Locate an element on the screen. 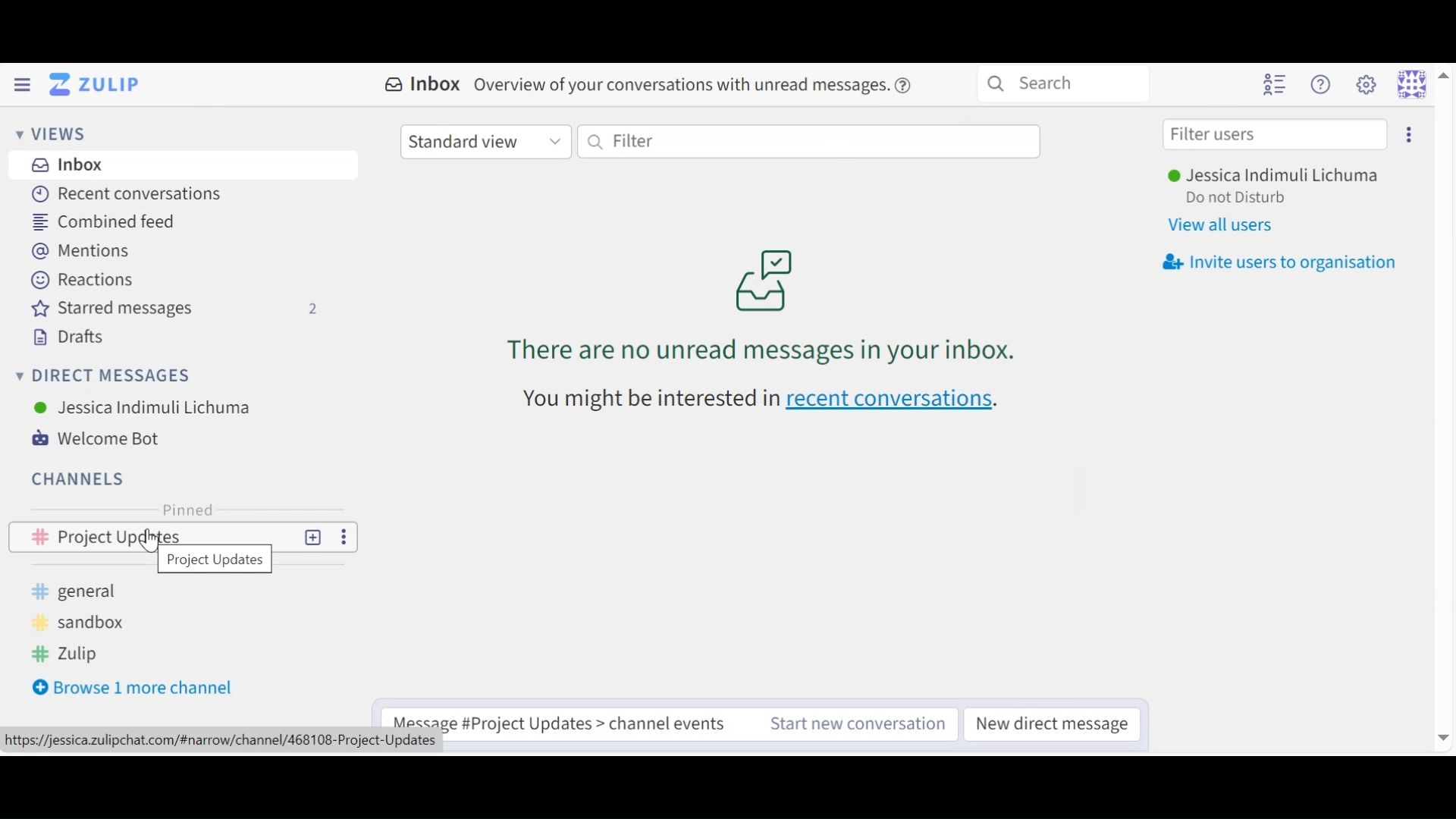 The height and width of the screenshot is (819, 1456). channel  is located at coordinates (217, 557).